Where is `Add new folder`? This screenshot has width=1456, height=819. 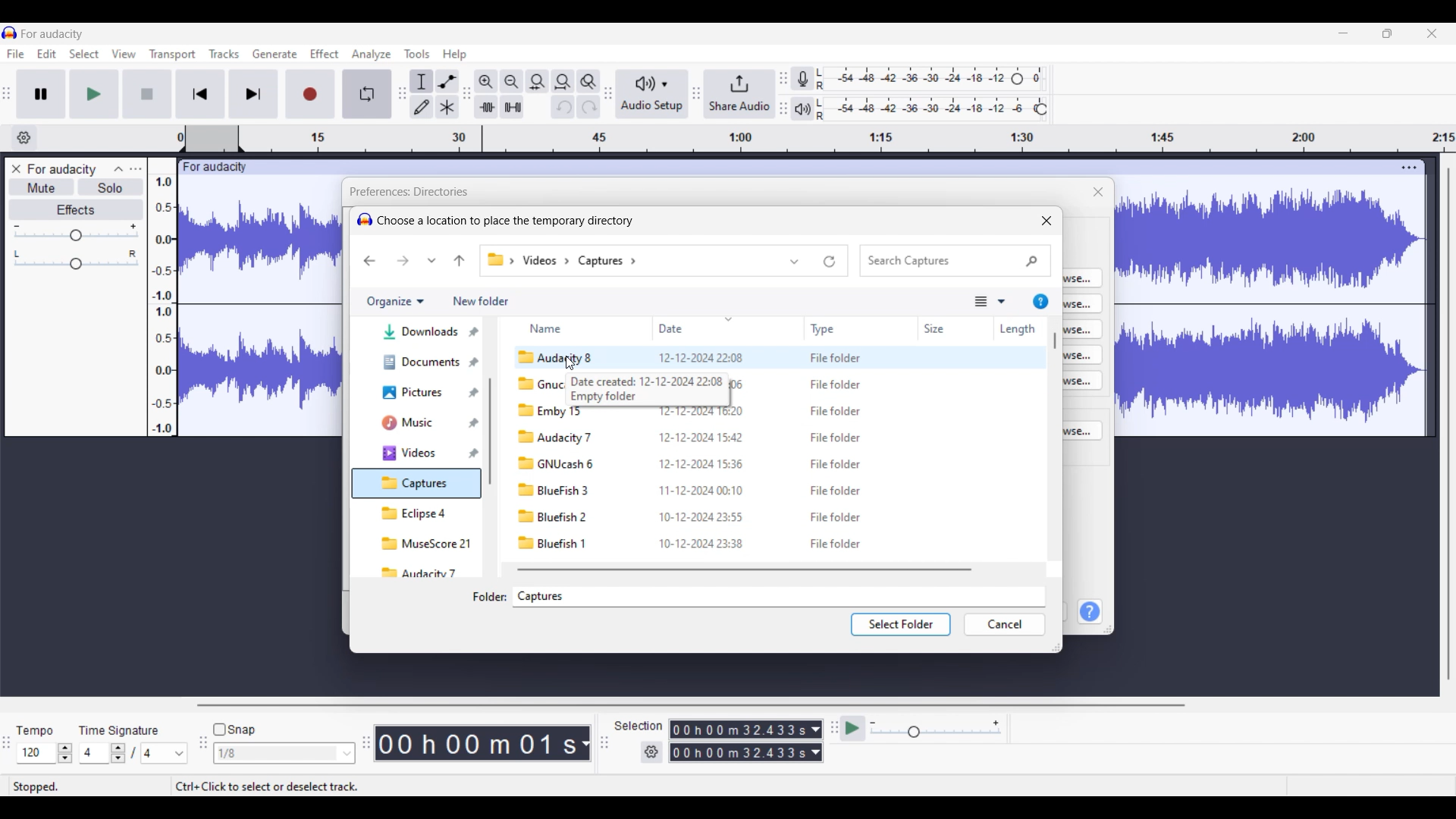 Add new folder is located at coordinates (481, 301).